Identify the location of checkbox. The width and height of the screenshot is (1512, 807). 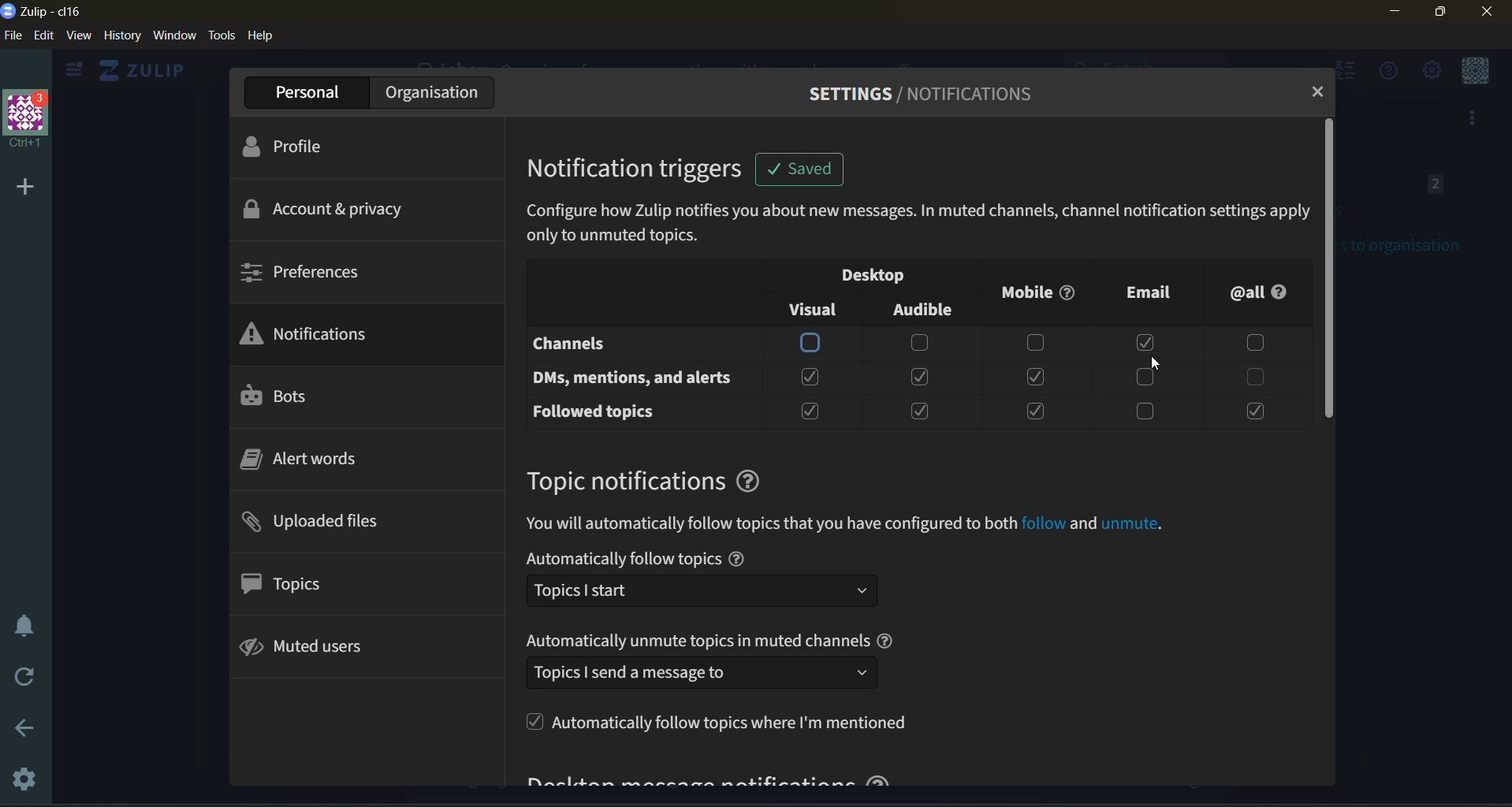
(812, 343).